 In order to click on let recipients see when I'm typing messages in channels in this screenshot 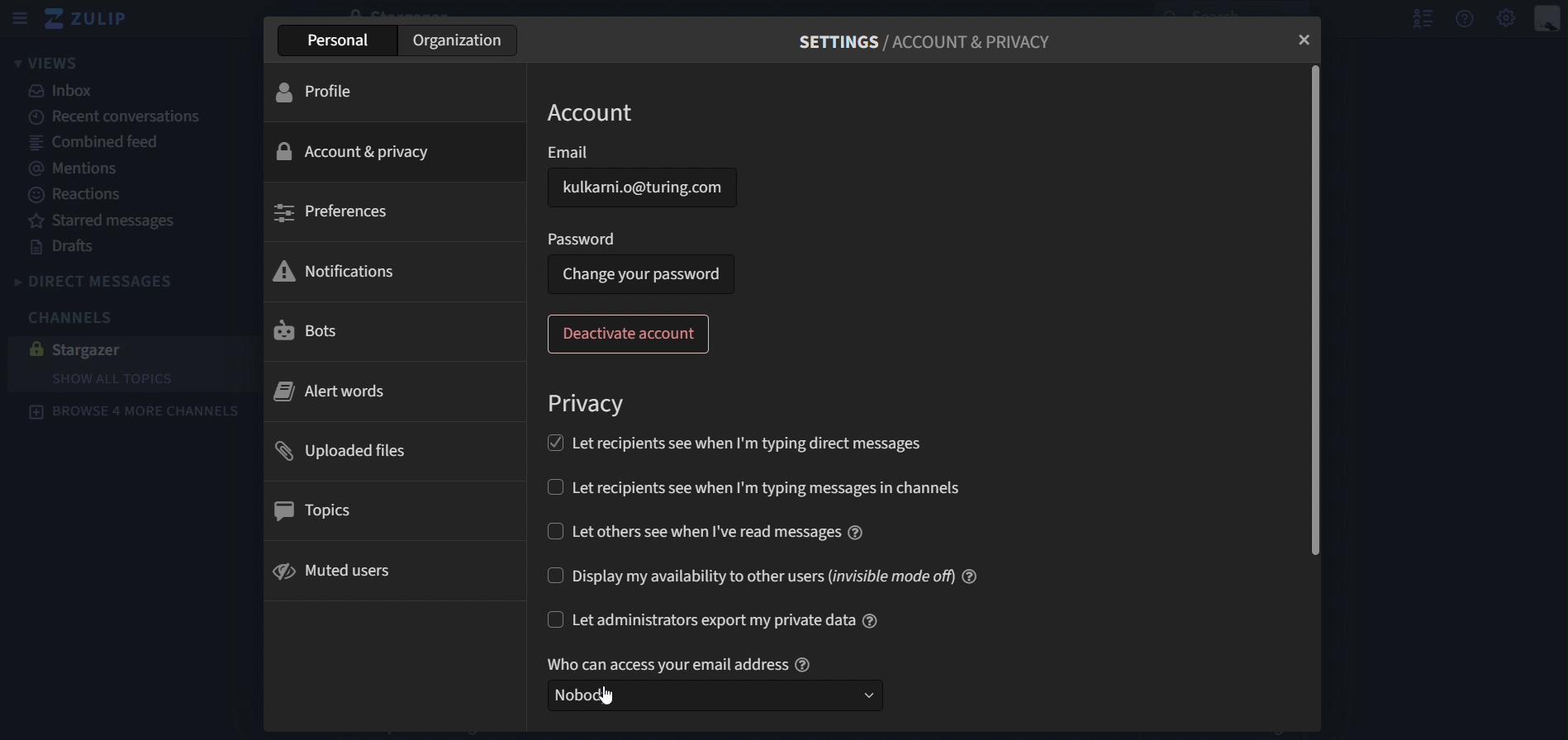, I will do `click(756, 486)`.